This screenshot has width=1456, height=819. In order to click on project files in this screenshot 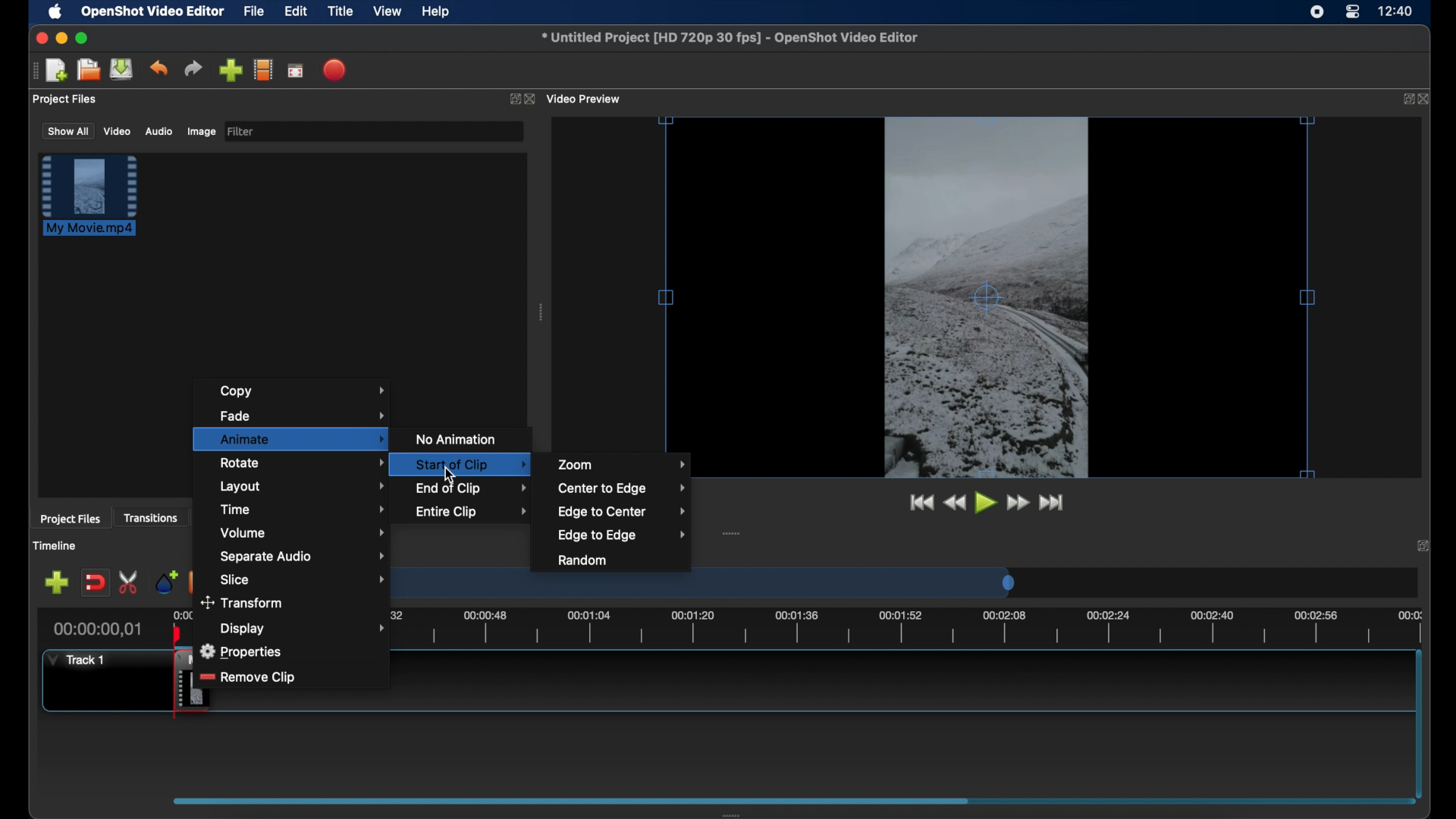, I will do `click(71, 519)`.